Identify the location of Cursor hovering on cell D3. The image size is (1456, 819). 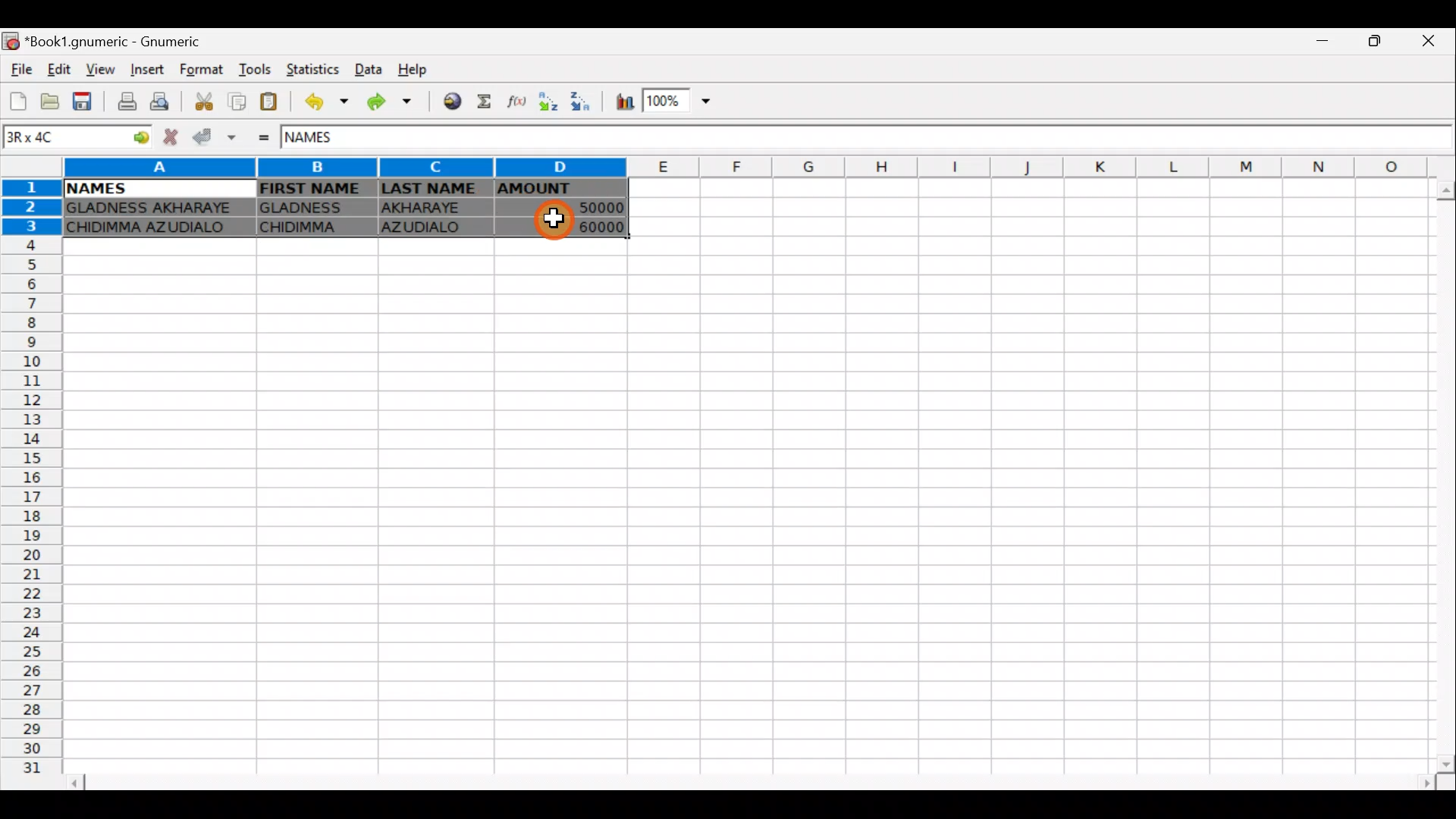
(548, 219).